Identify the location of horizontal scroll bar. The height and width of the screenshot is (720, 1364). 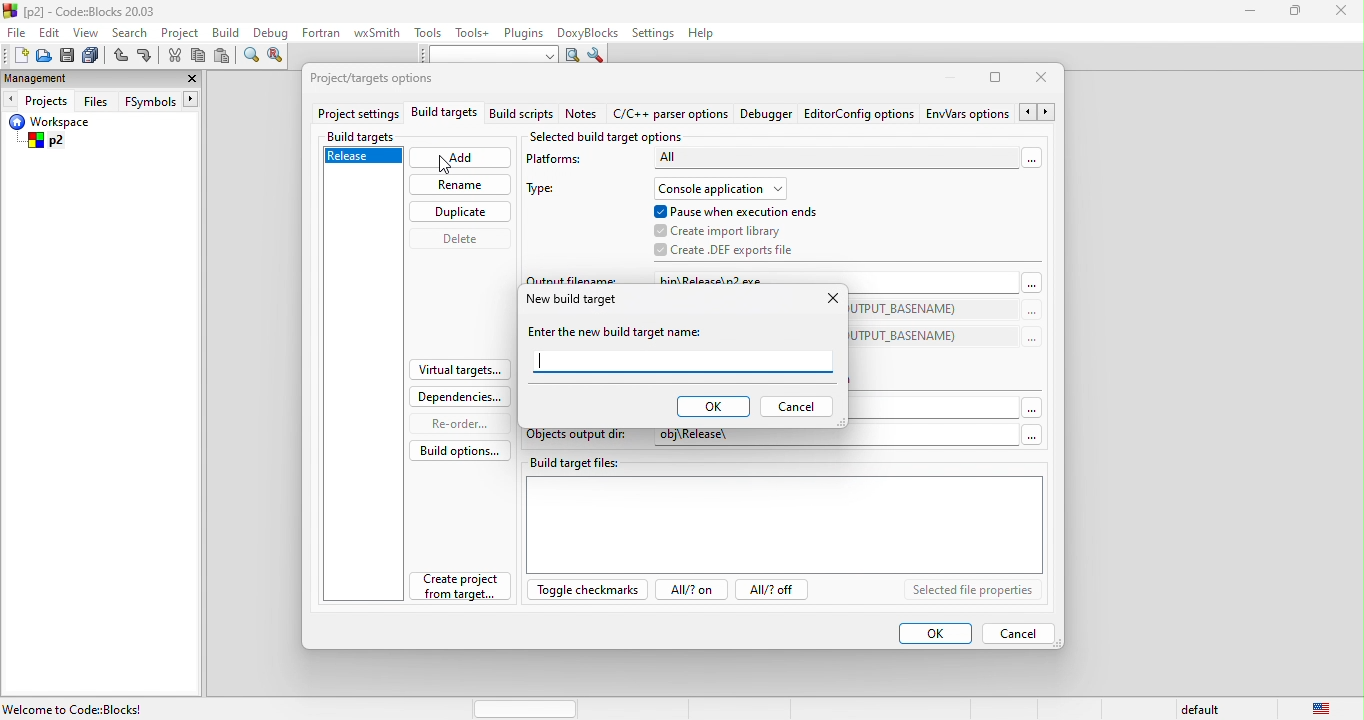
(528, 708).